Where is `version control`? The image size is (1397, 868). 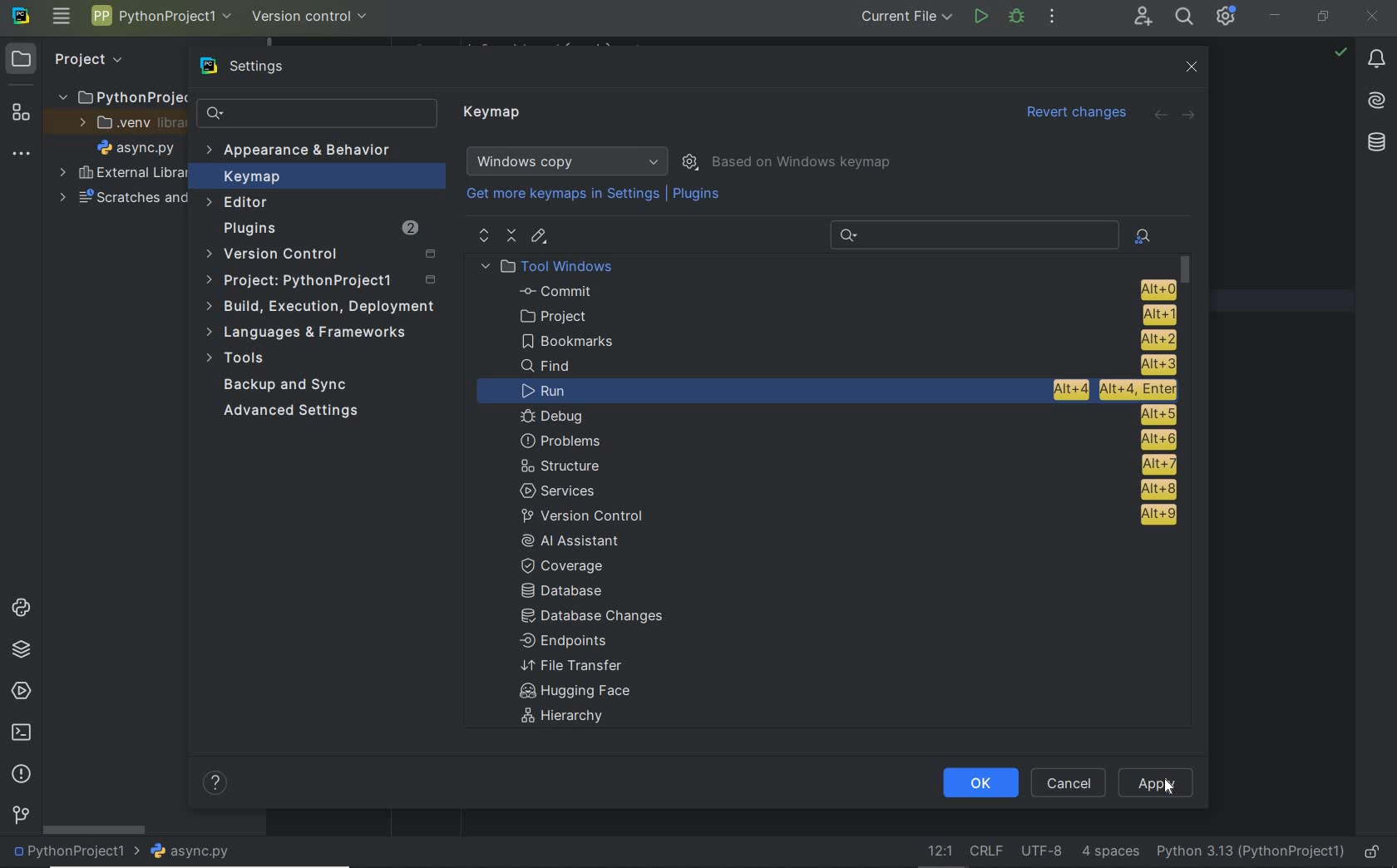
version control is located at coordinates (311, 15).